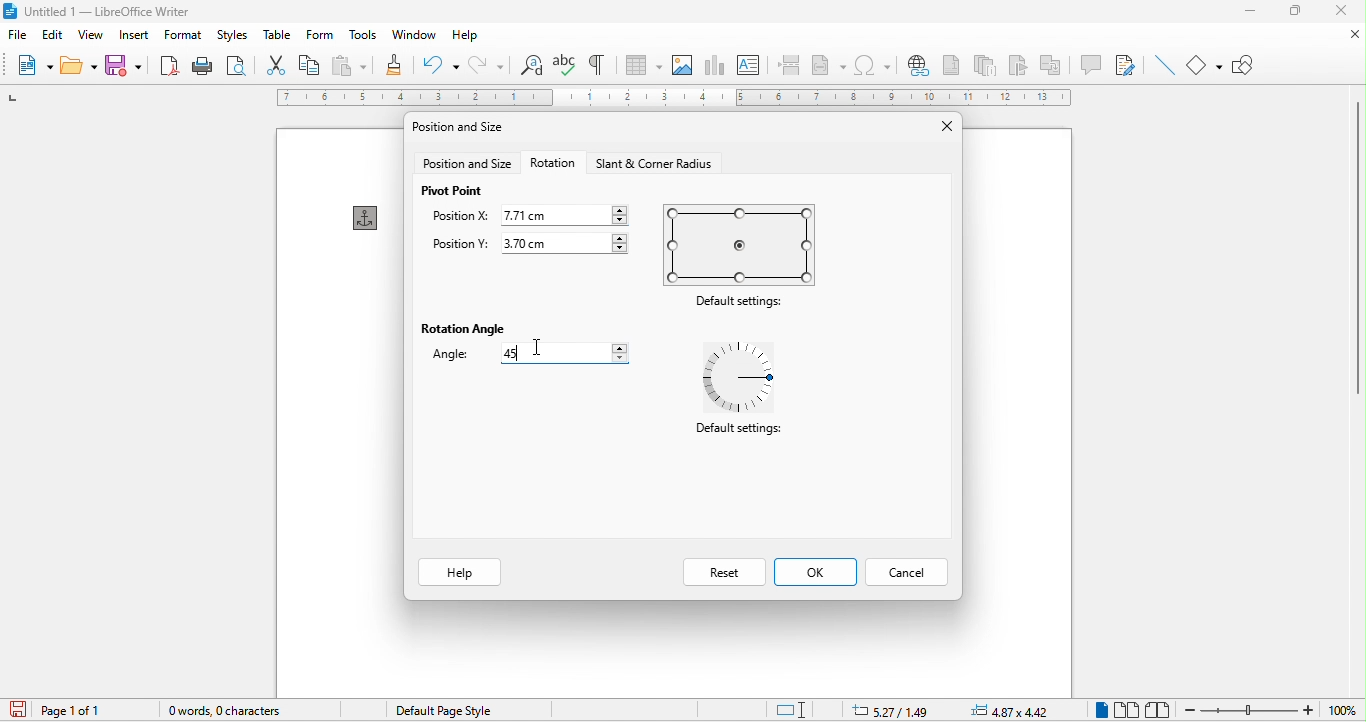 Image resolution: width=1366 pixels, height=722 pixels. What do you see at coordinates (748, 64) in the screenshot?
I see `text box` at bounding box center [748, 64].